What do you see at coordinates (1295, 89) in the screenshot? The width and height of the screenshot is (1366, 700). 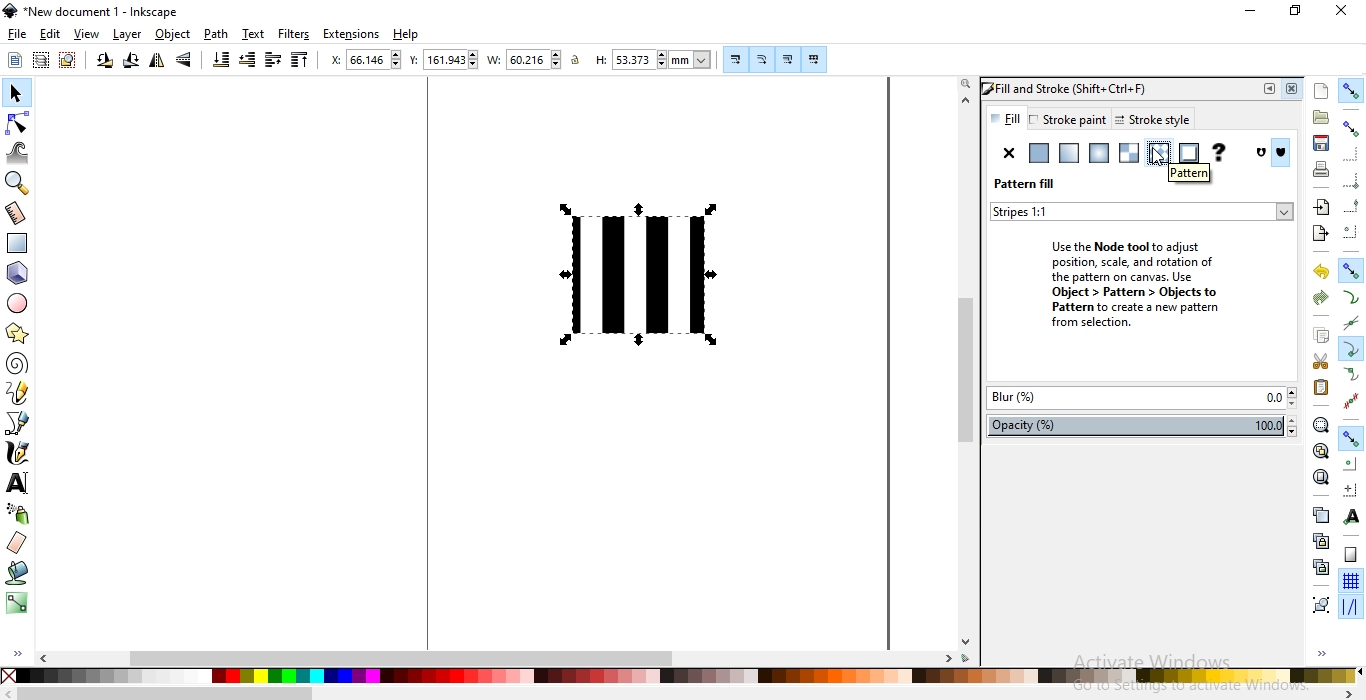 I see `close` at bounding box center [1295, 89].